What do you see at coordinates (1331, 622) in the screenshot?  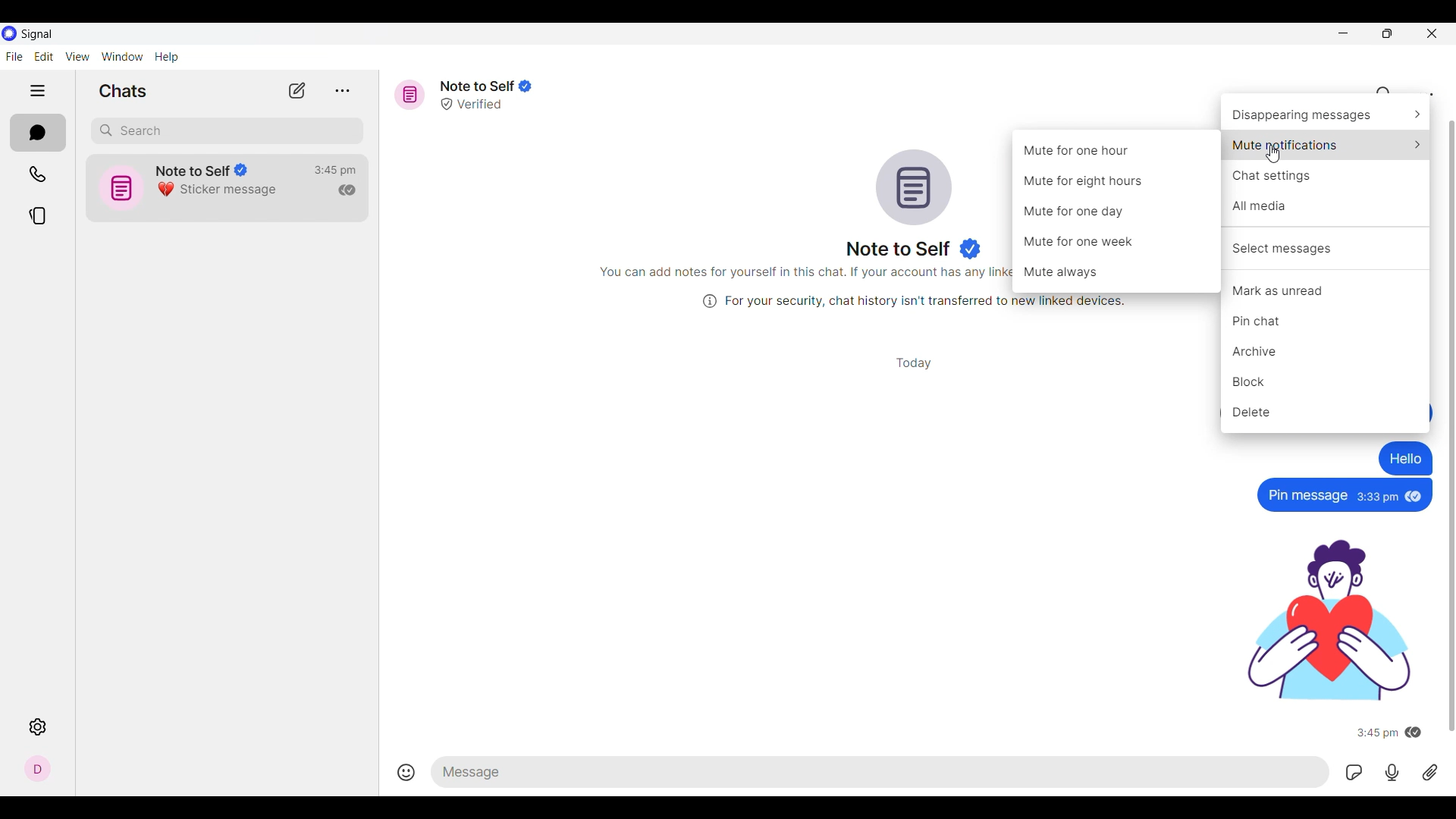 I see `sticker` at bounding box center [1331, 622].